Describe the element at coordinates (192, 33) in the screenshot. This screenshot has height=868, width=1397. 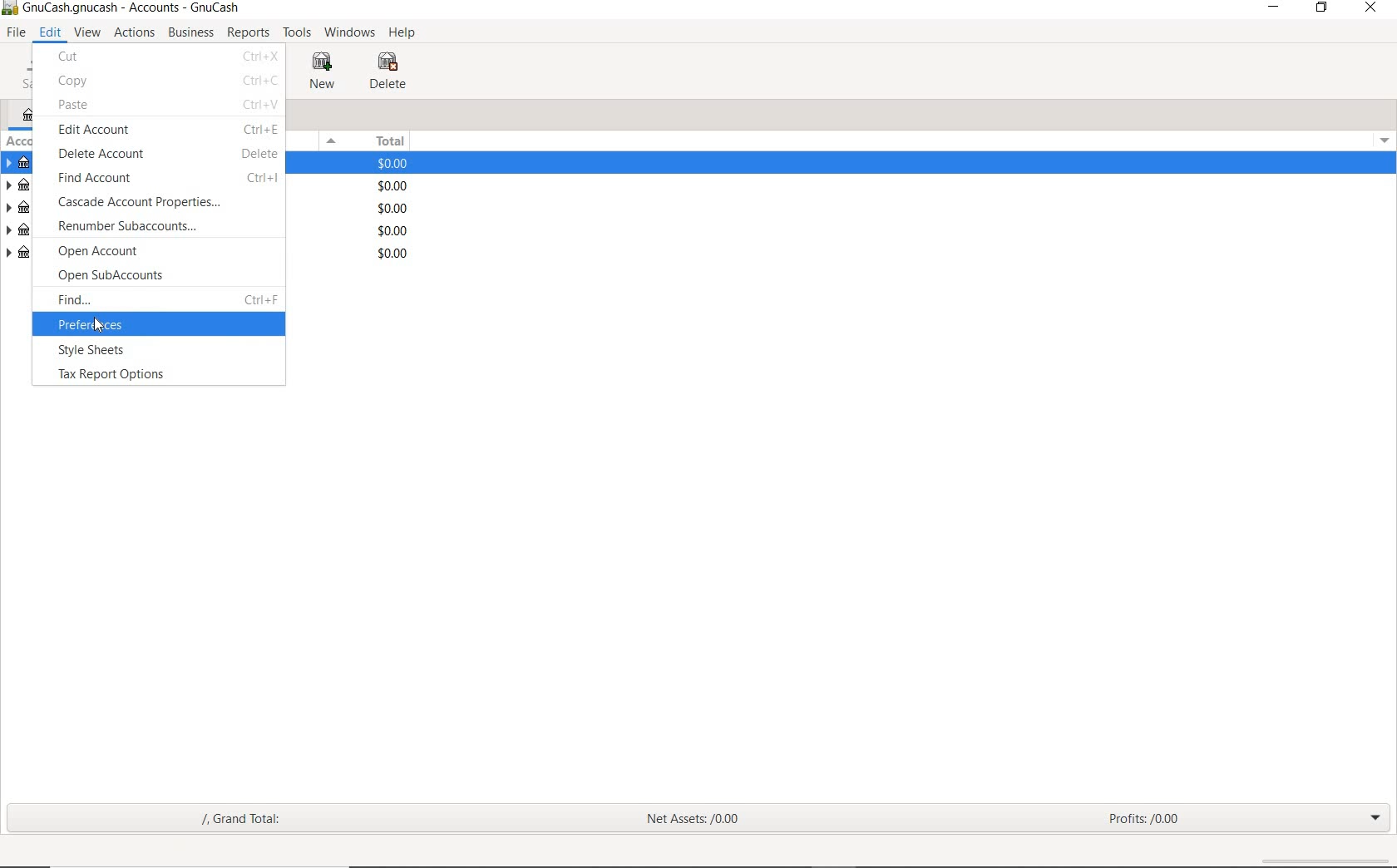
I see `BUSINESS` at that location.